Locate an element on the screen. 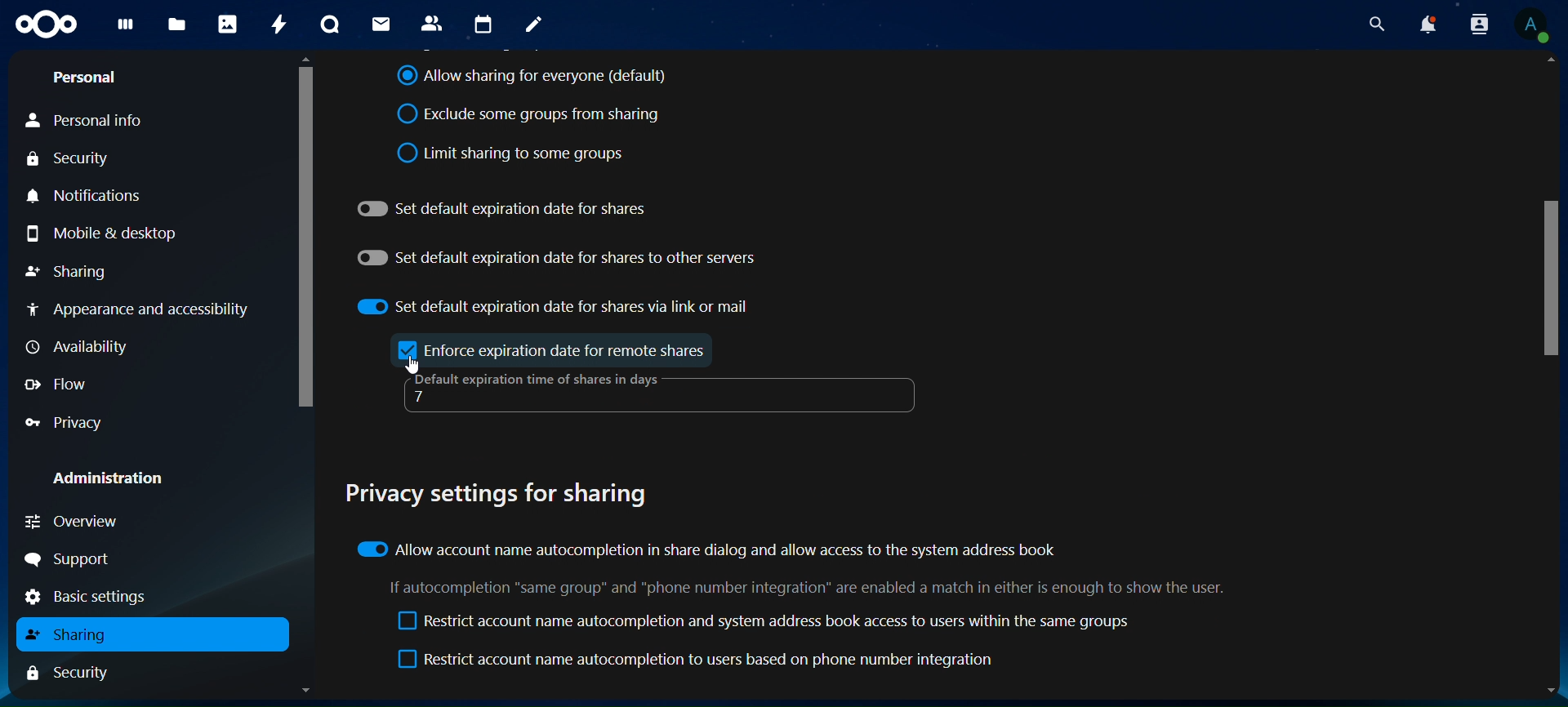 Image resolution: width=1568 pixels, height=707 pixels. notifications is located at coordinates (97, 195).